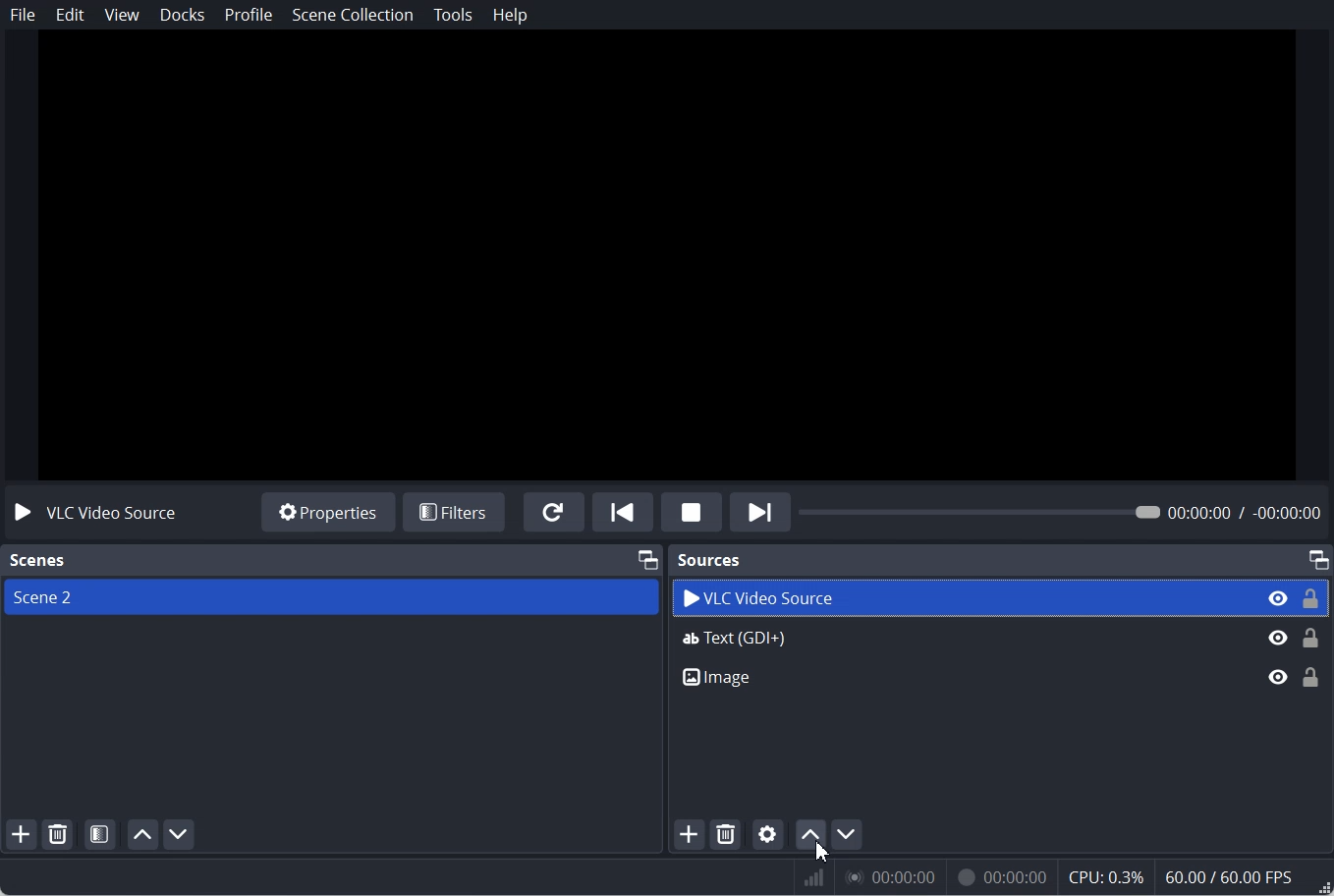 The image size is (1334, 896). I want to click on Scene Collection, so click(354, 14).